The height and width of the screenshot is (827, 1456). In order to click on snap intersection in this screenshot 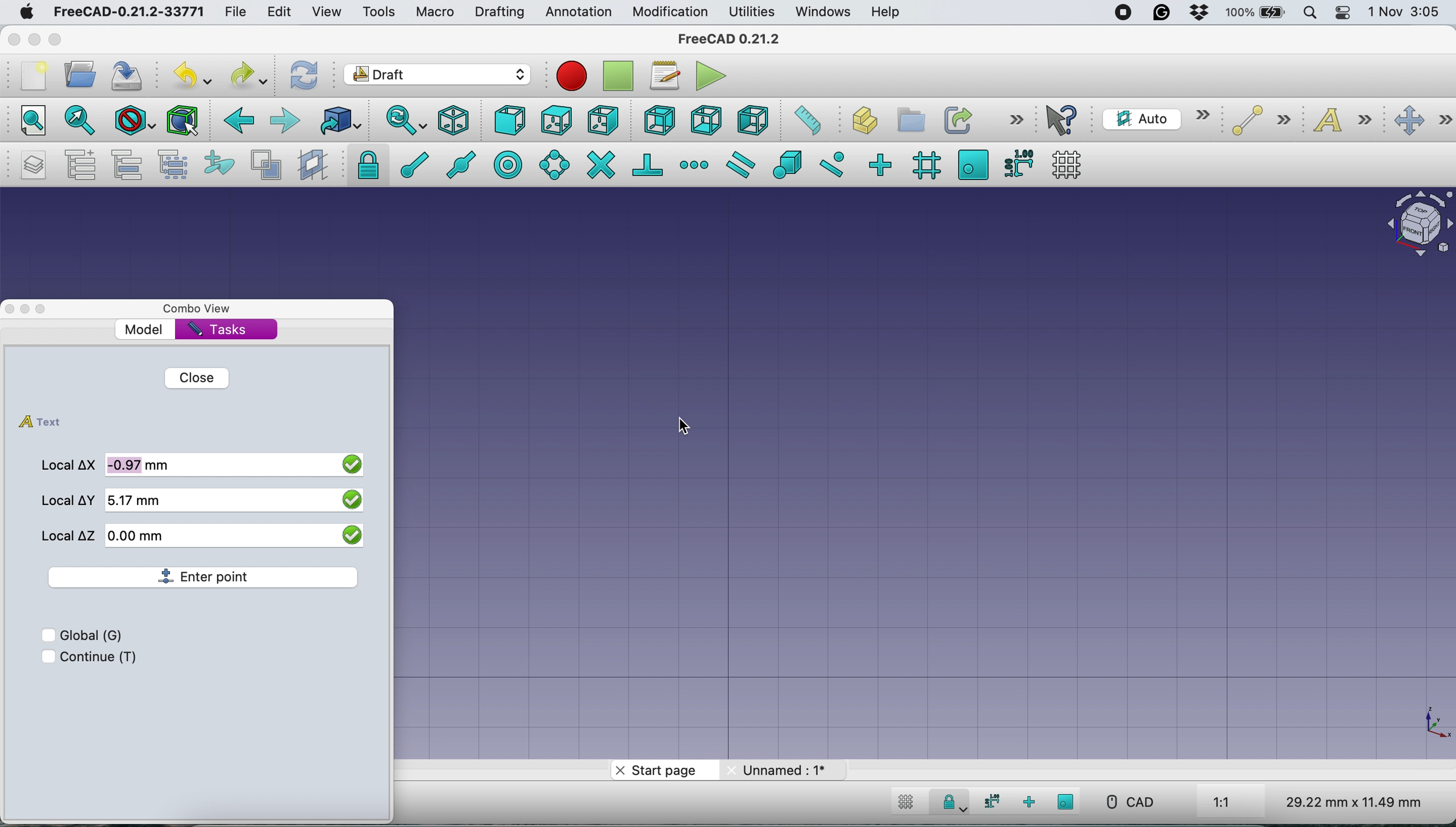, I will do `click(600, 166)`.